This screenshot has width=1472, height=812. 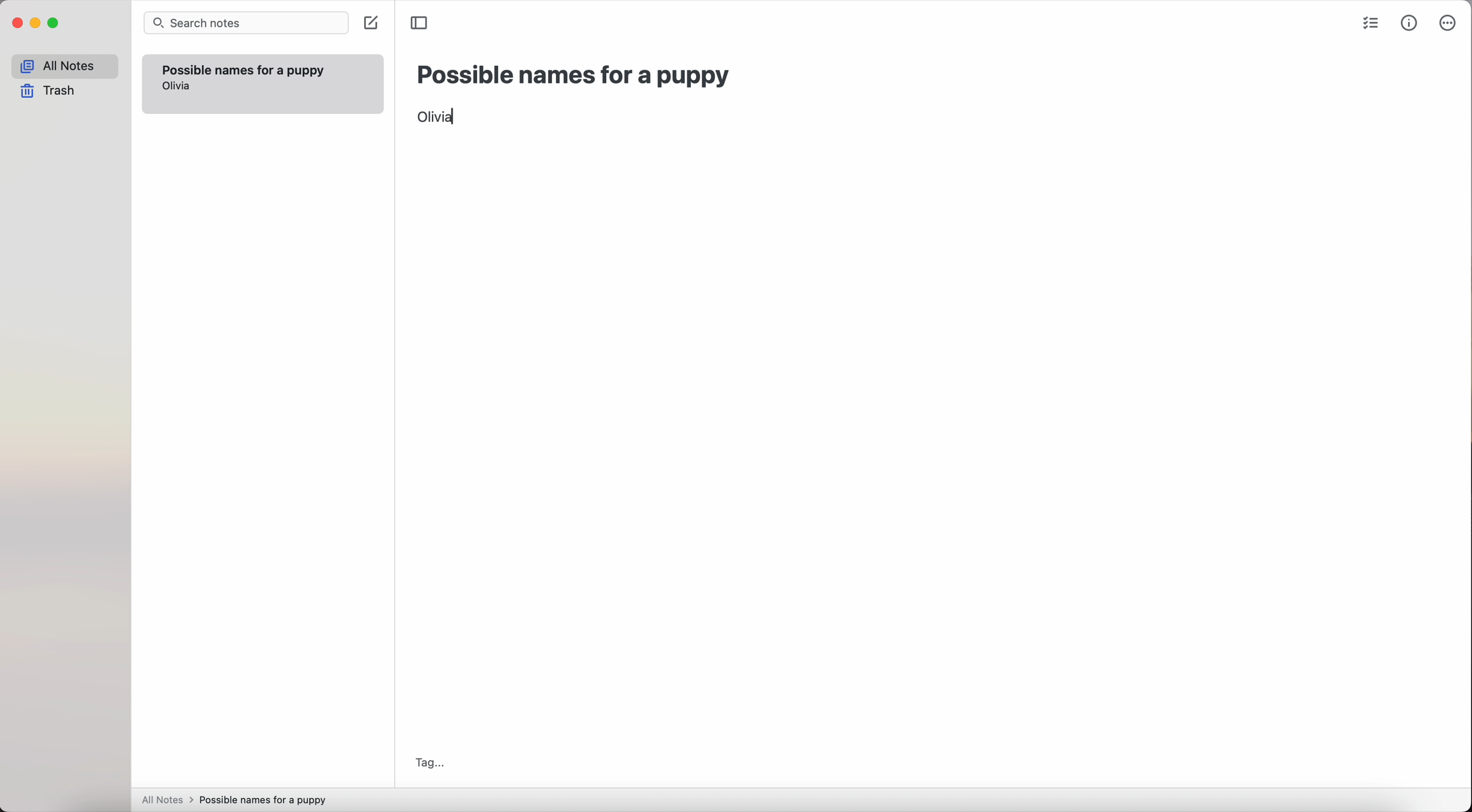 What do you see at coordinates (1370, 25) in the screenshot?
I see `check list` at bounding box center [1370, 25].